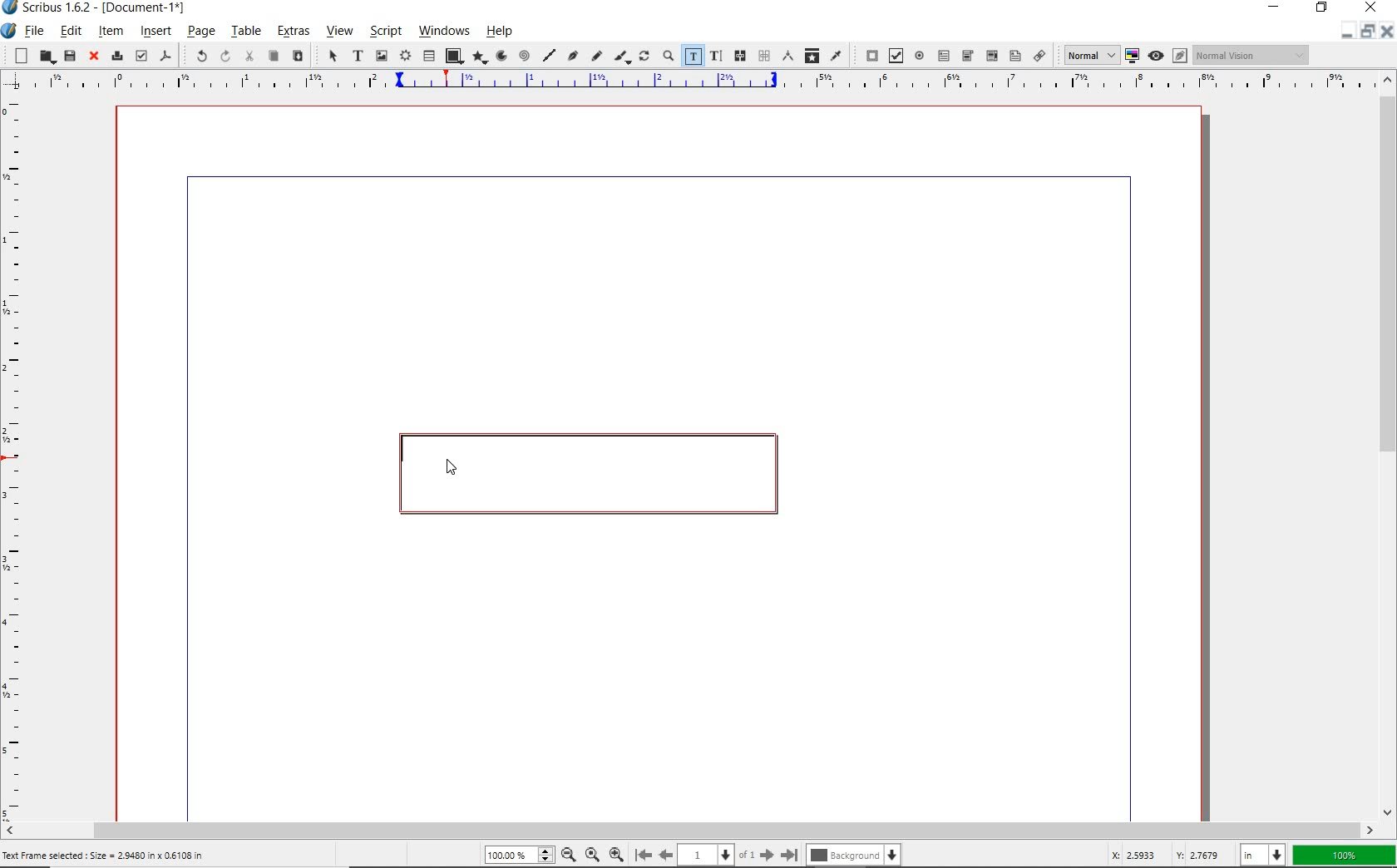 This screenshot has height=868, width=1397. What do you see at coordinates (1200, 855) in the screenshot?
I see `Y: 2.7679` at bounding box center [1200, 855].